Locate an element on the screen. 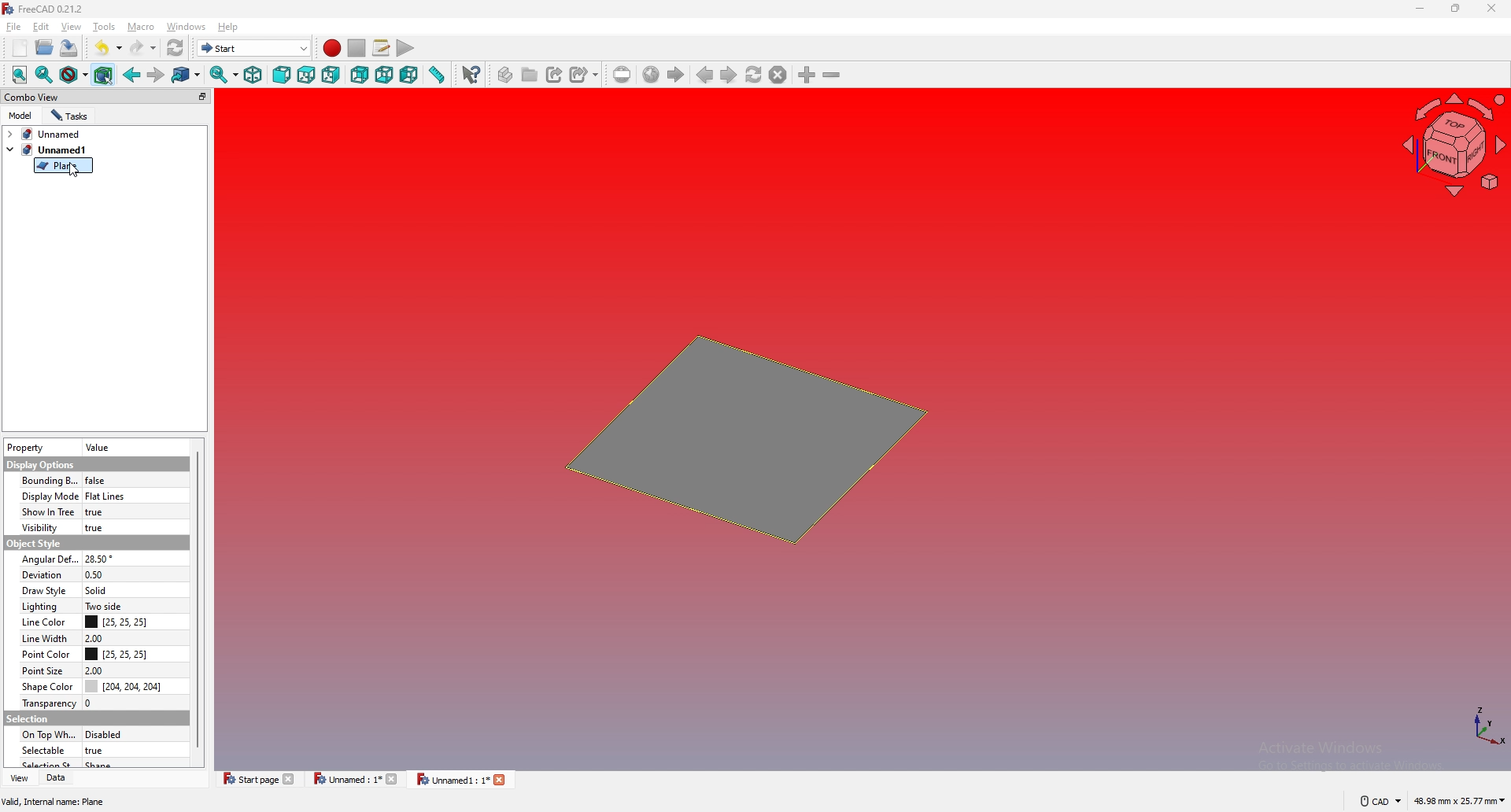  create sub link is located at coordinates (585, 75).